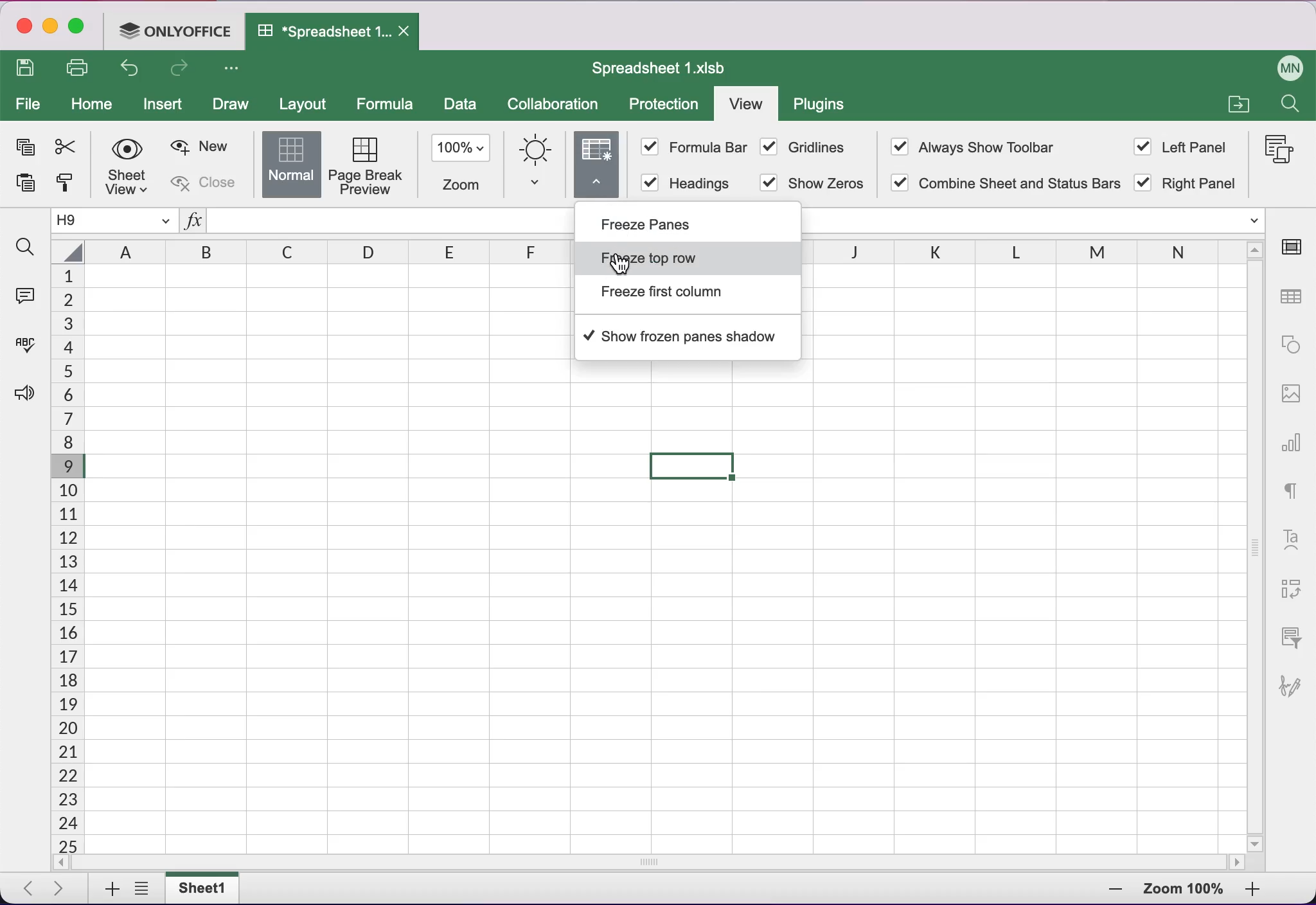 Image resolution: width=1316 pixels, height=905 pixels. I want to click on print, so click(80, 66).